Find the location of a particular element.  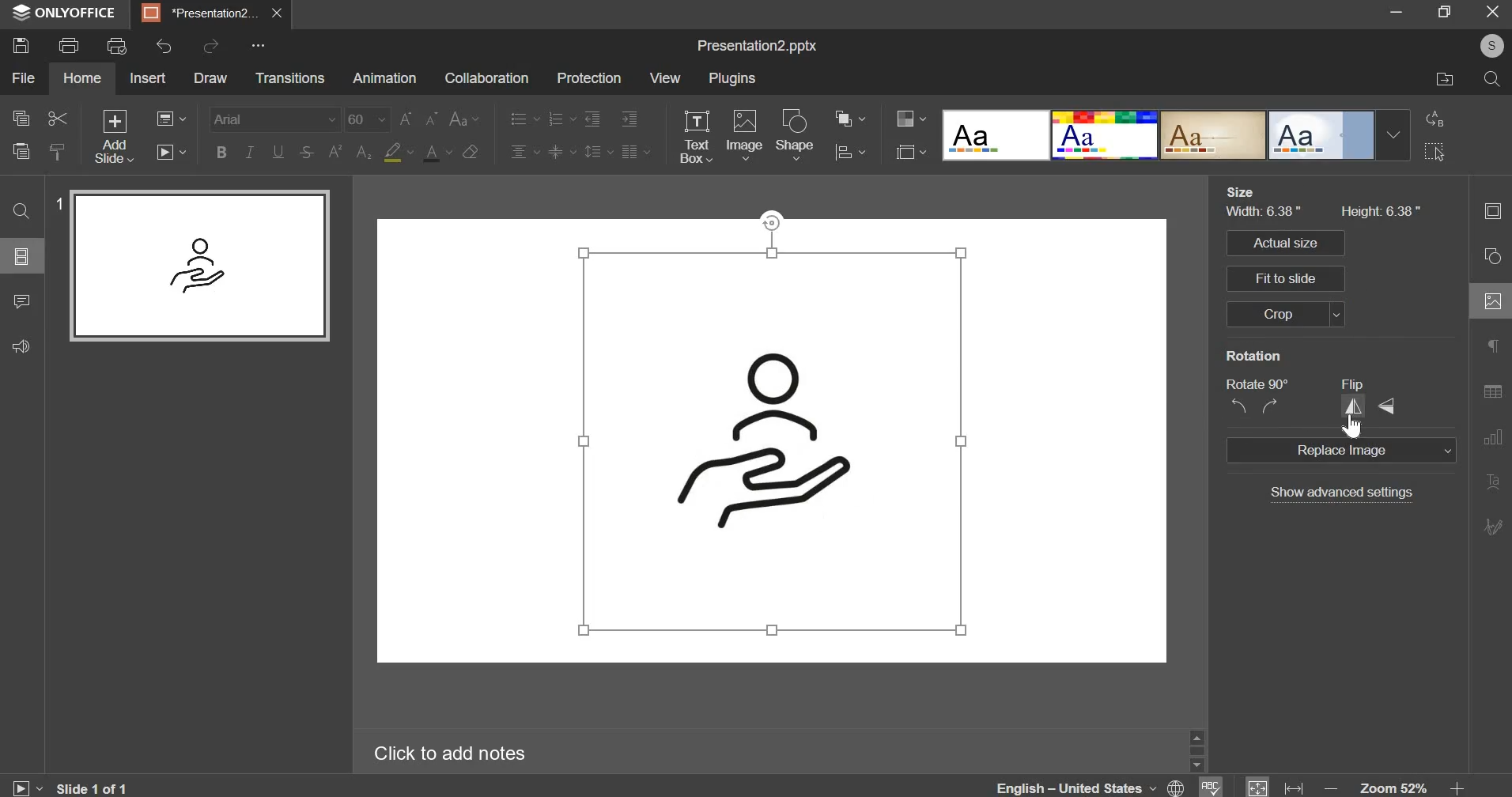

image settings is located at coordinates (1491, 304).